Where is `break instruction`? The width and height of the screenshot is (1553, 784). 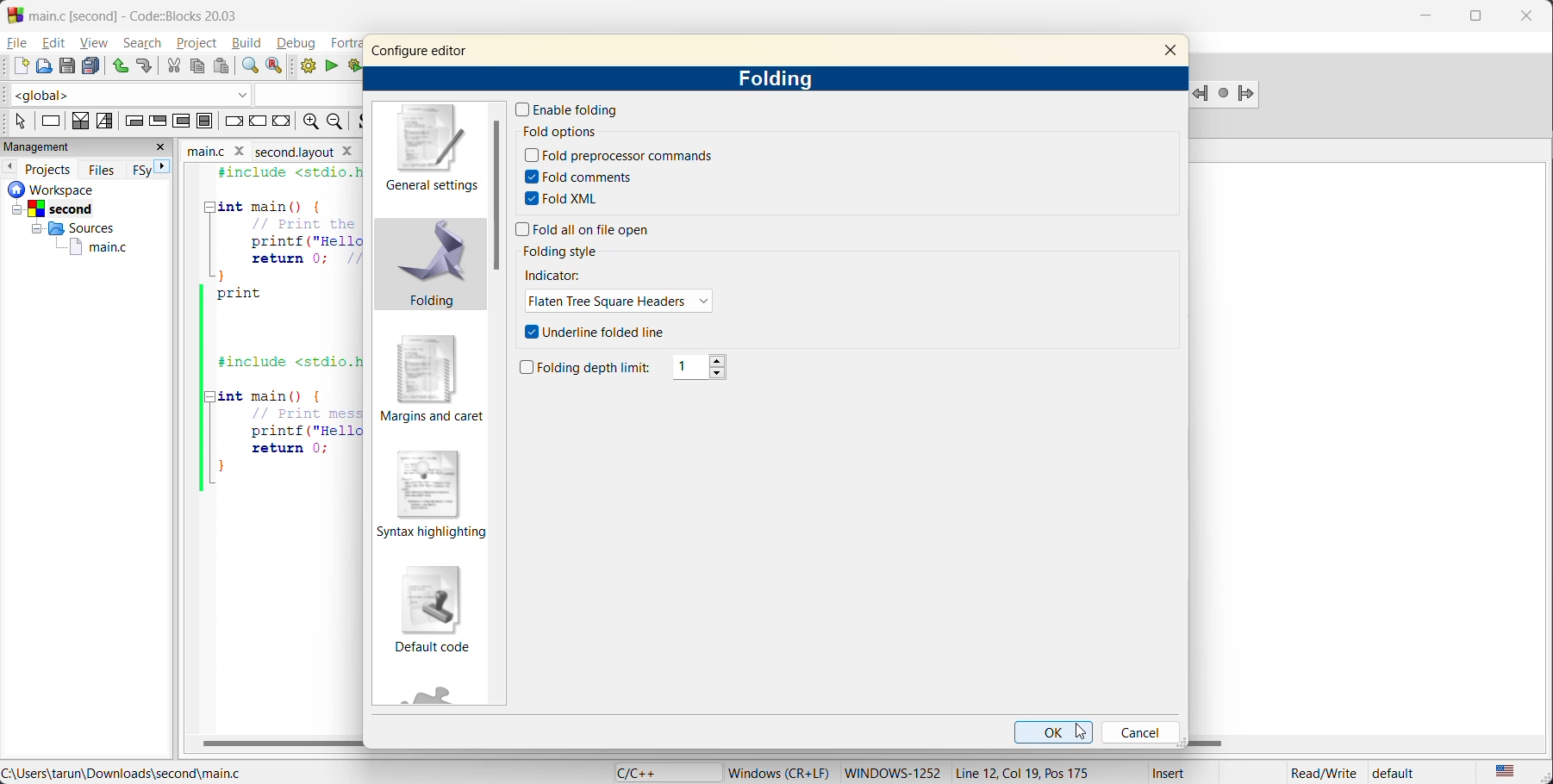 break instruction is located at coordinates (233, 122).